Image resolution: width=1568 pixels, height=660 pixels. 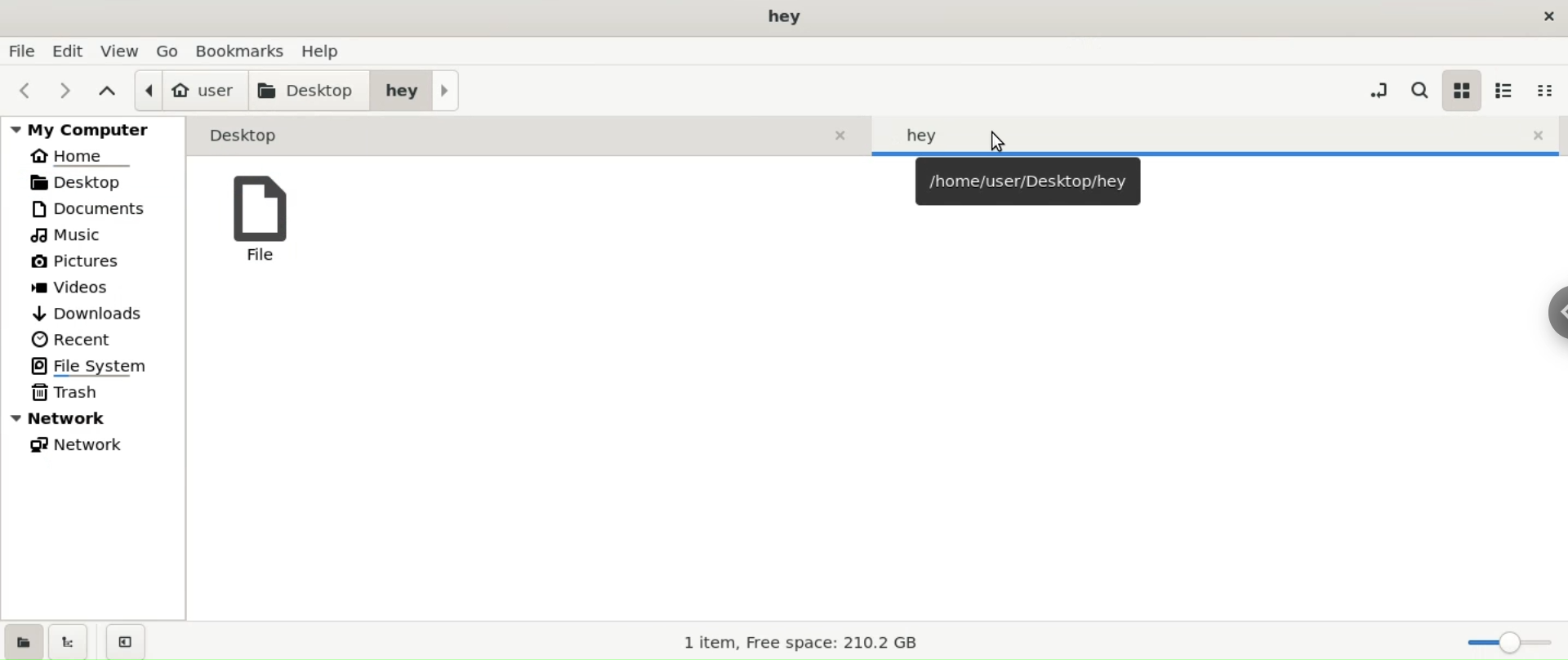 I want to click on go, so click(x=168, y=50).